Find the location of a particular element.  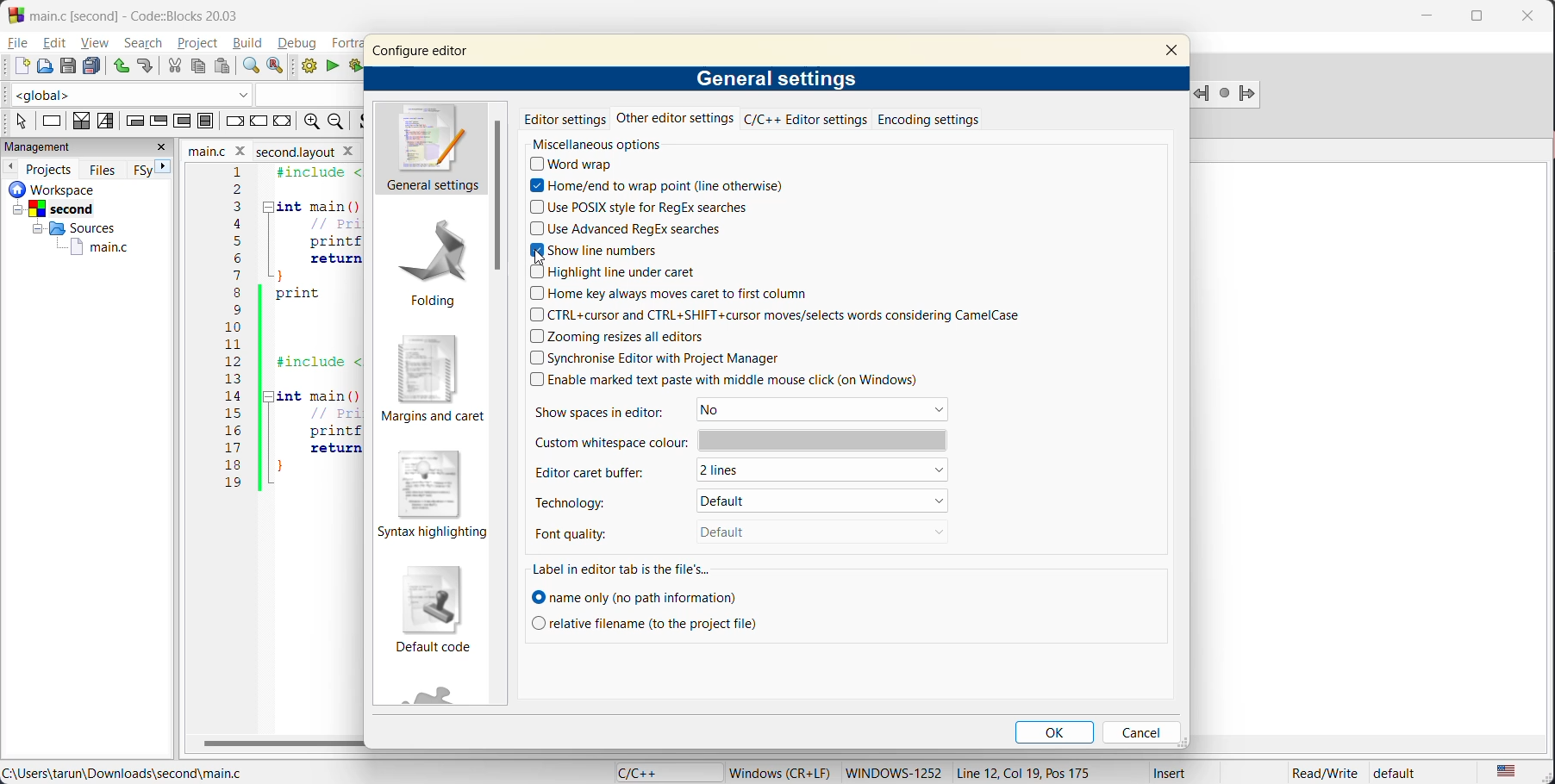

Default is located at coordinates (820, 500).